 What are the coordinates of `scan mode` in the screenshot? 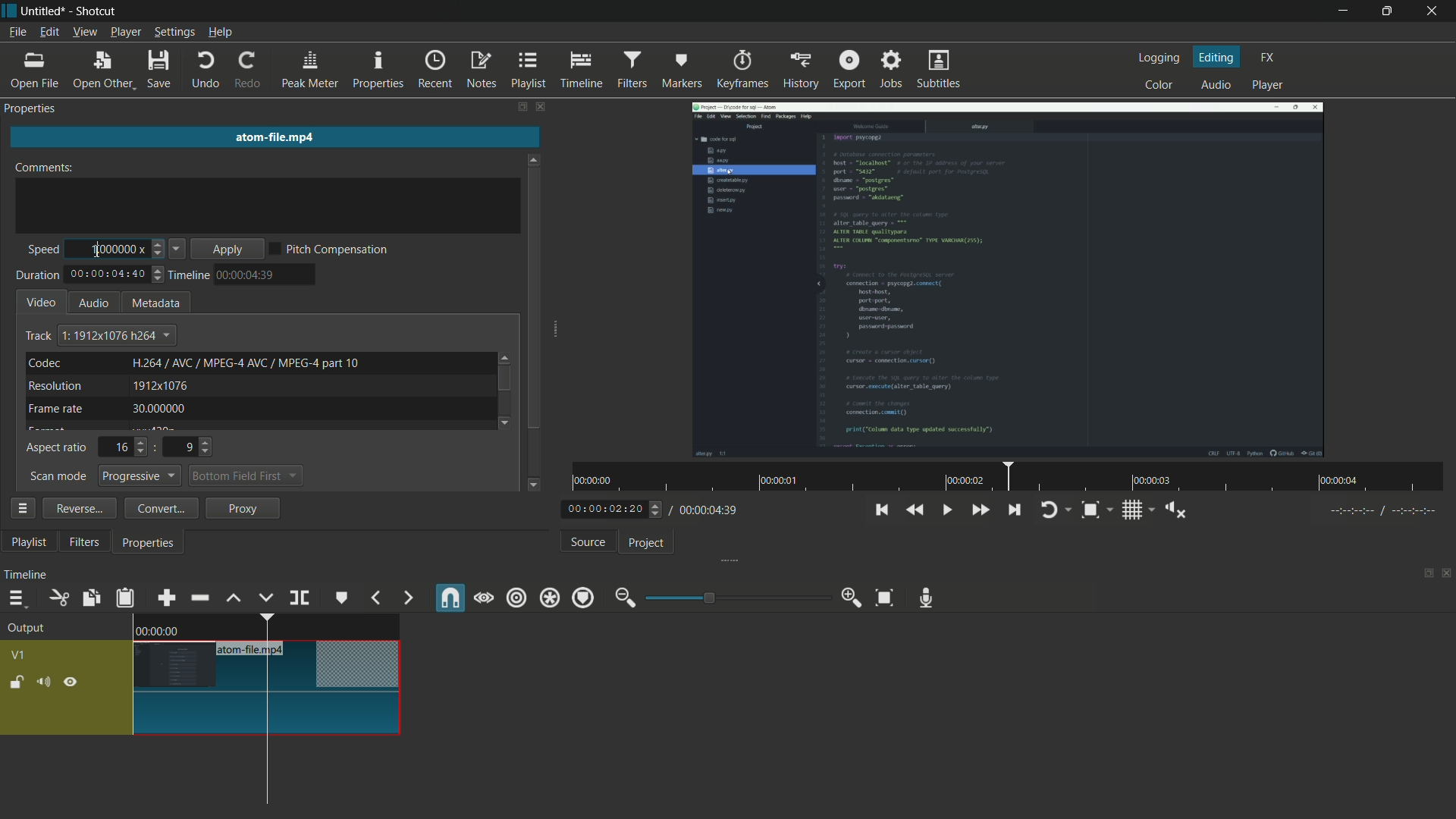 It's located at (58, 477).